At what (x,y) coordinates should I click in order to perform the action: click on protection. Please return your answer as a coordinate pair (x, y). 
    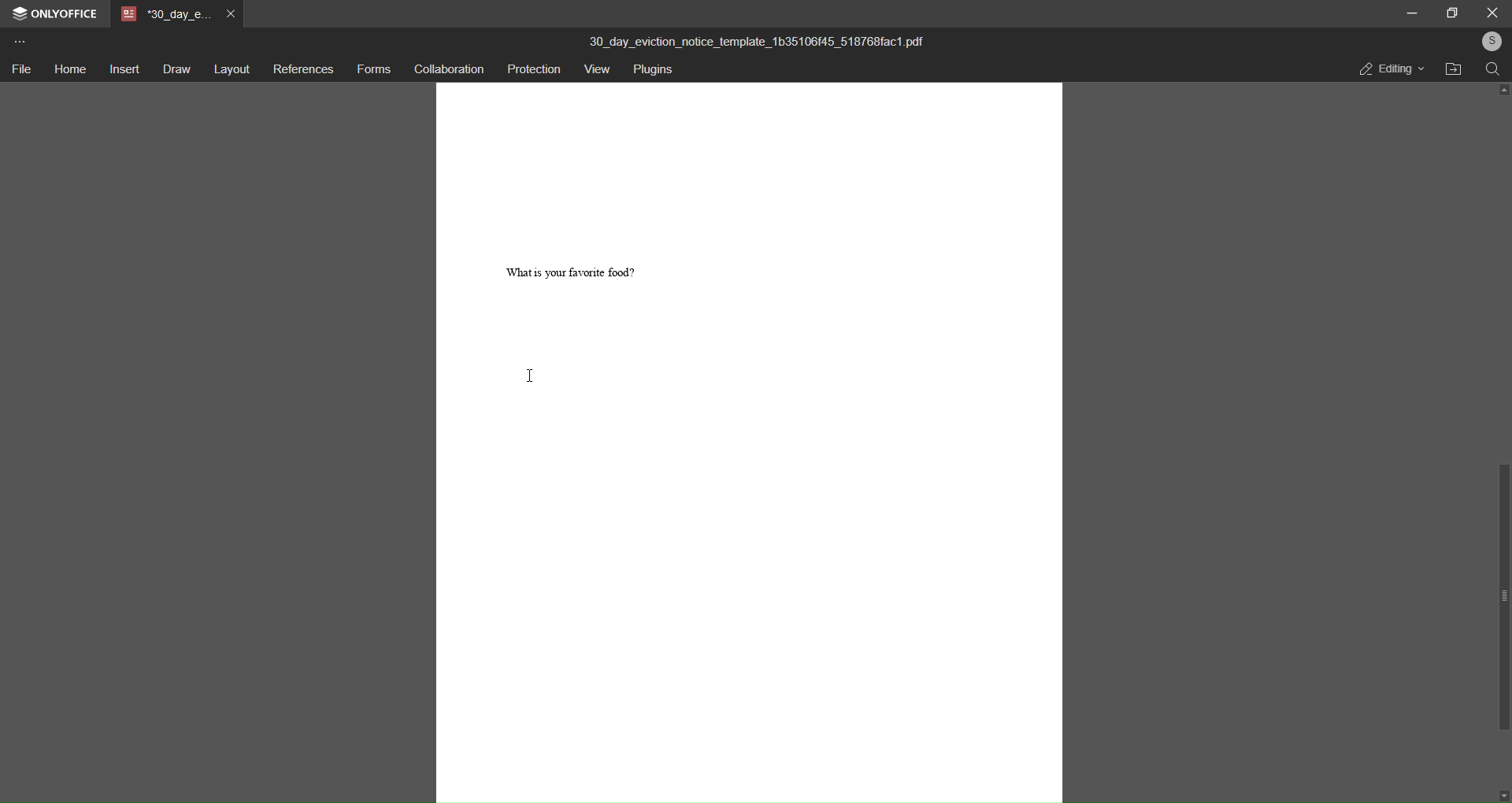
    Looking at the image, I should click on (531, 69).